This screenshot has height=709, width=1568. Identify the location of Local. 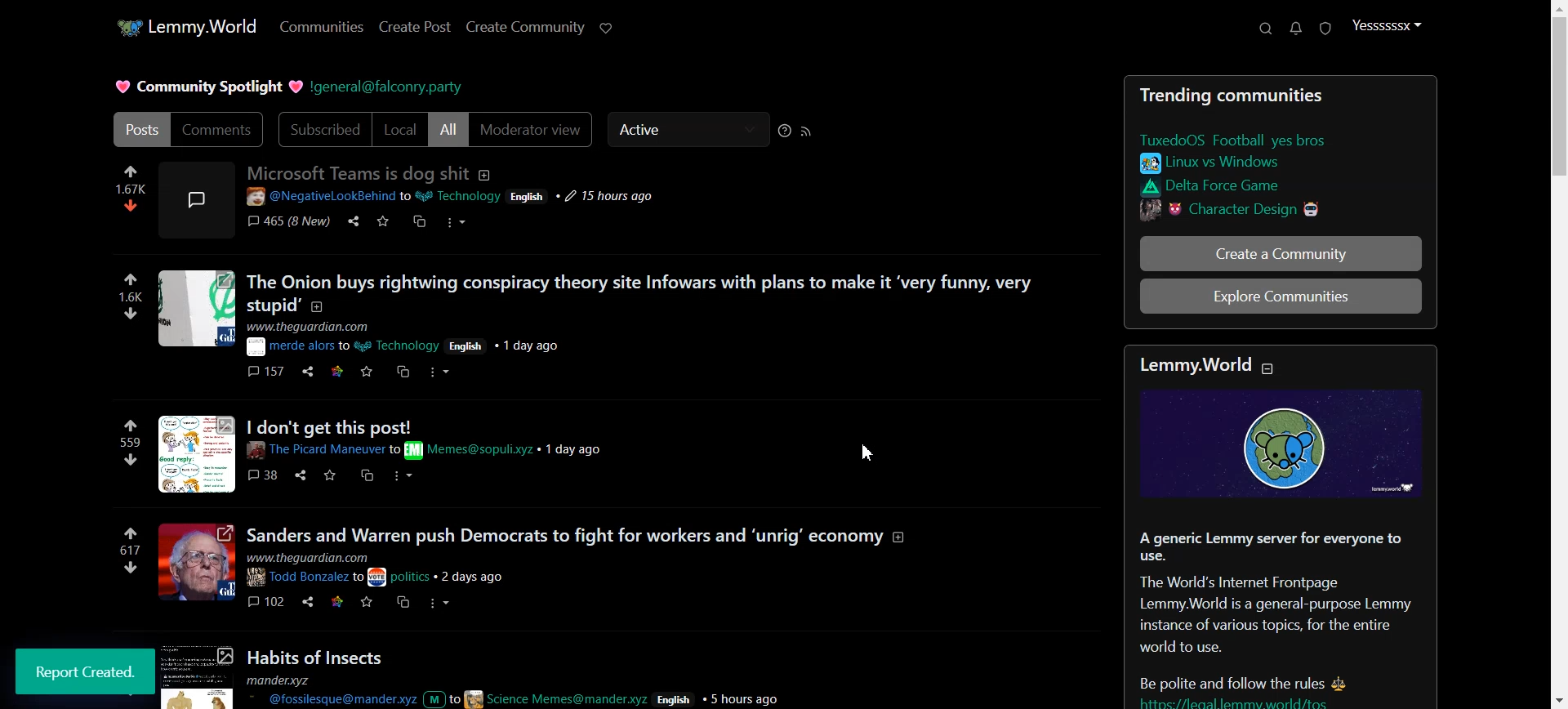
(400, 130).